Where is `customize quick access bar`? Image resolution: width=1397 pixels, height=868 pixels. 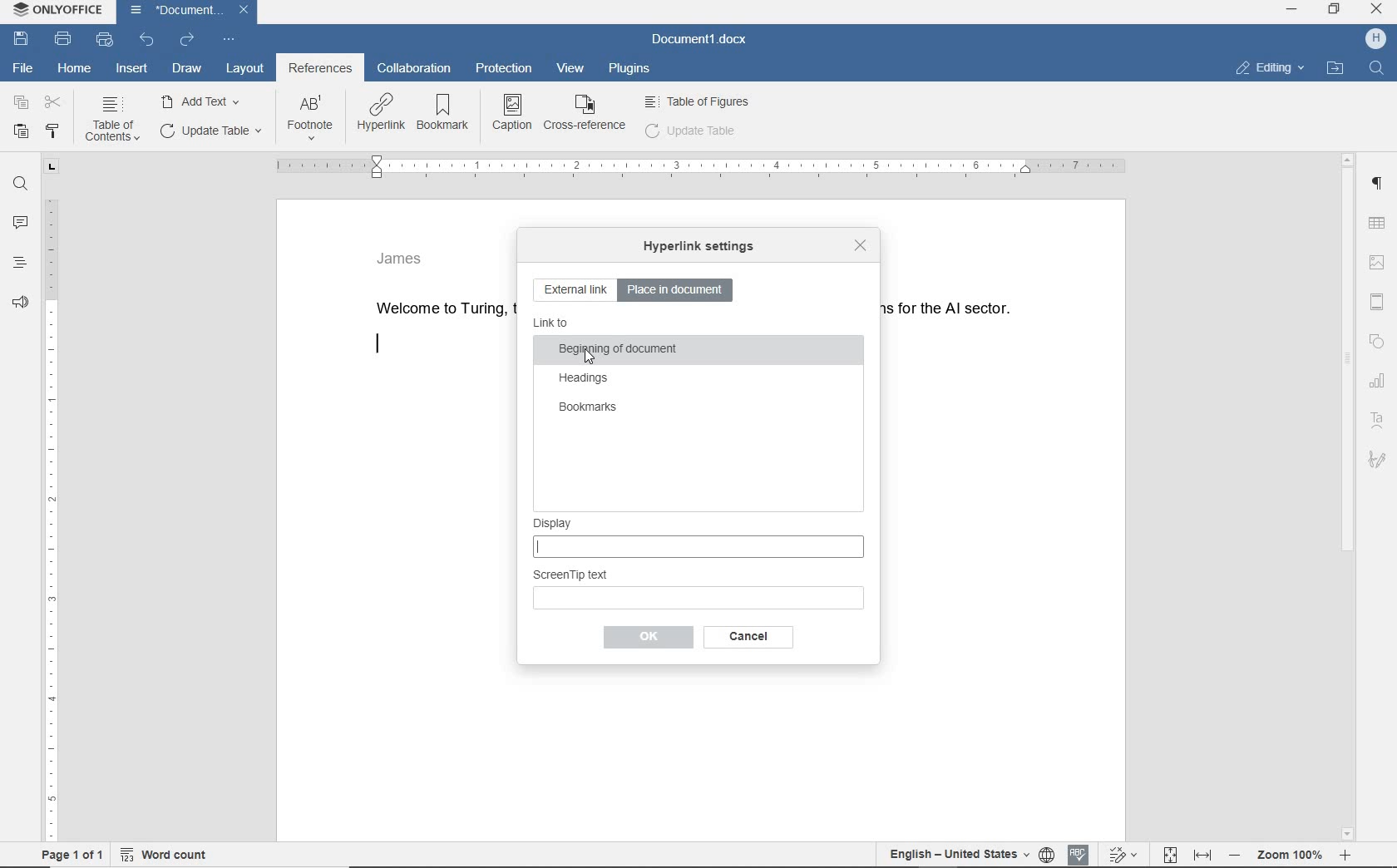
customize quick access bar is located at coordinates (227, 40).